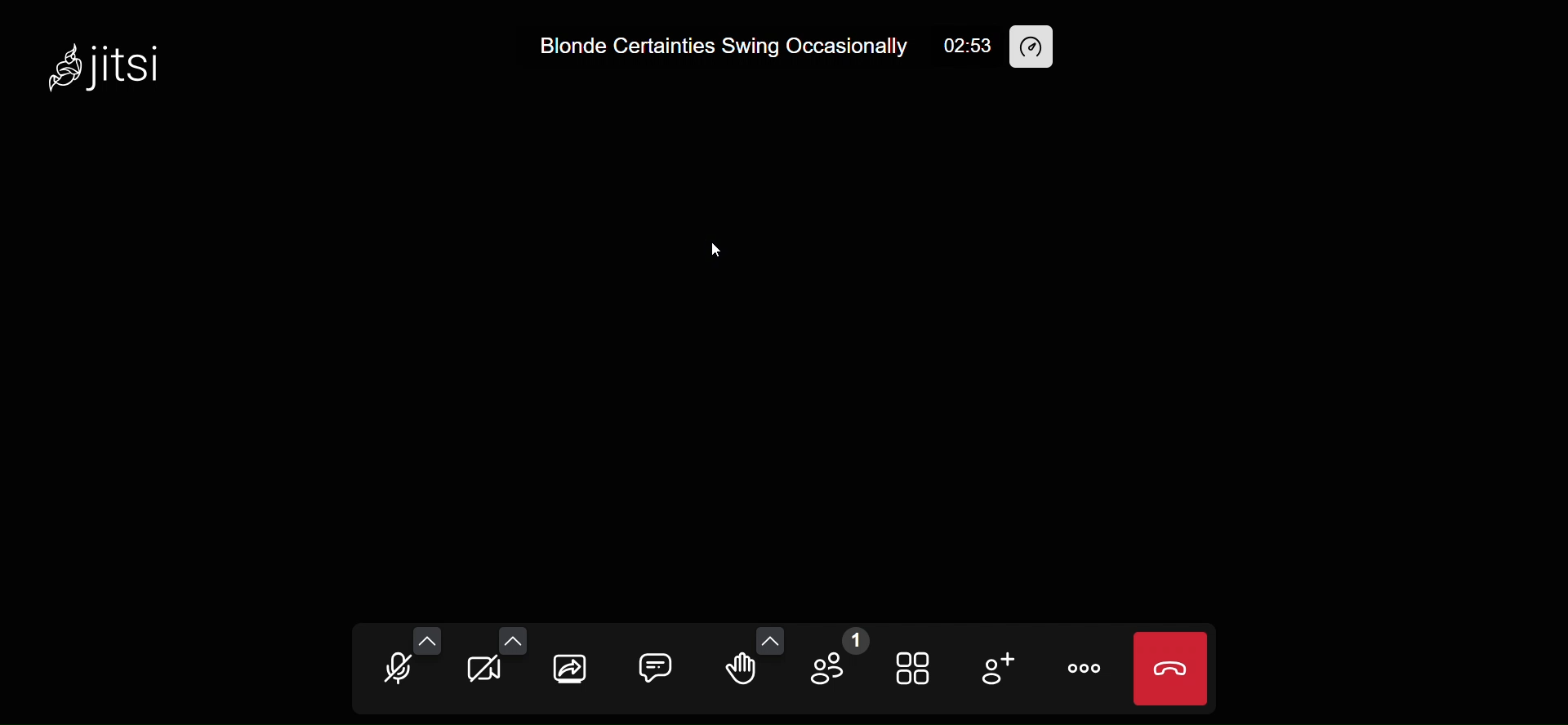 Image resolution: width=1568 pixels, height=725 pixels. I want to click on participant, so click(839, 660).